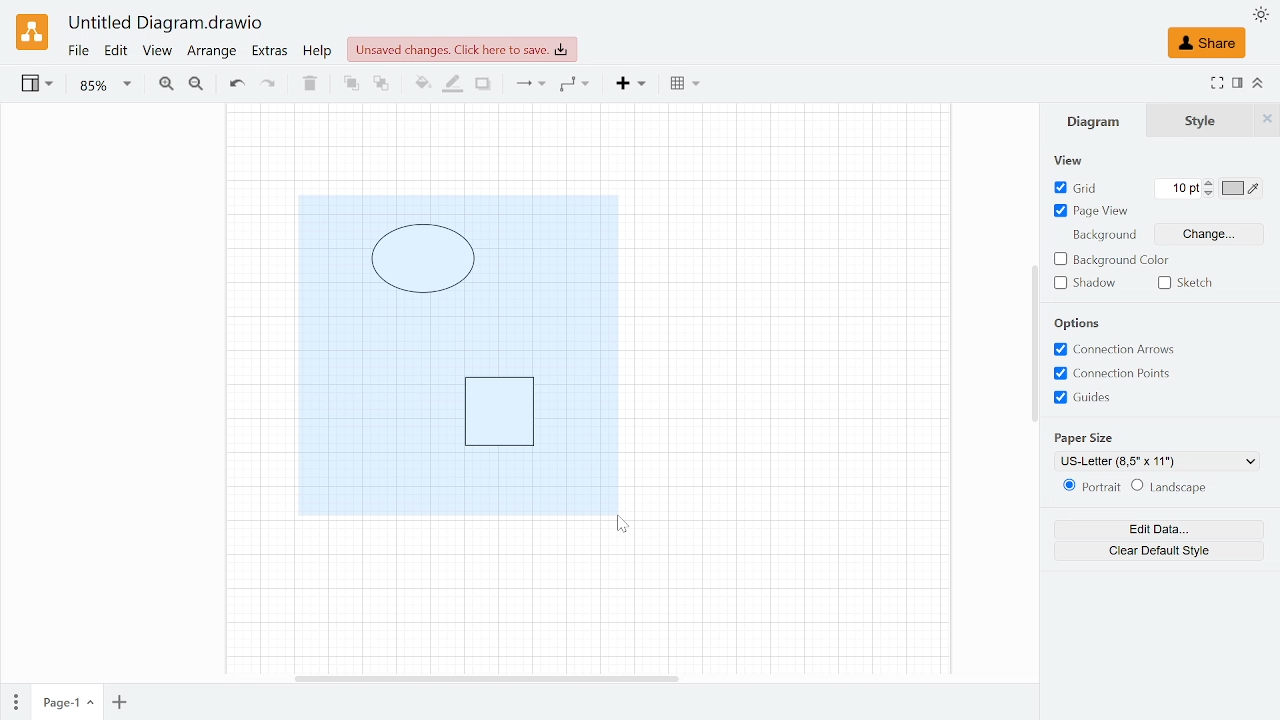 The image size is (1280, 720). I want to click on Delete, so click(307, 84).